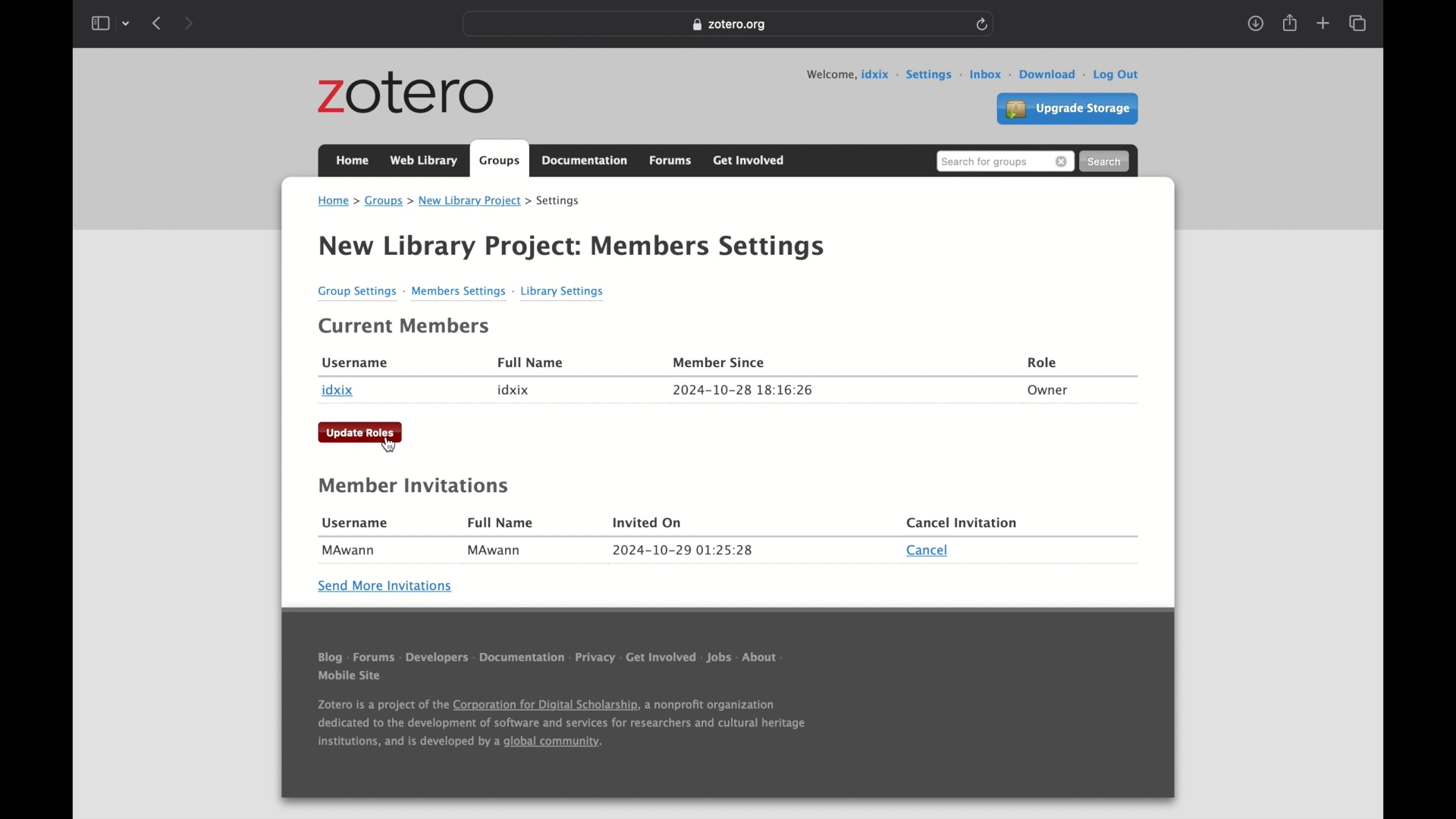  What do you see at coordinates (1066, 110) in the screenshot?
I see `upgrade storage` at bounding box center [1066, 110].